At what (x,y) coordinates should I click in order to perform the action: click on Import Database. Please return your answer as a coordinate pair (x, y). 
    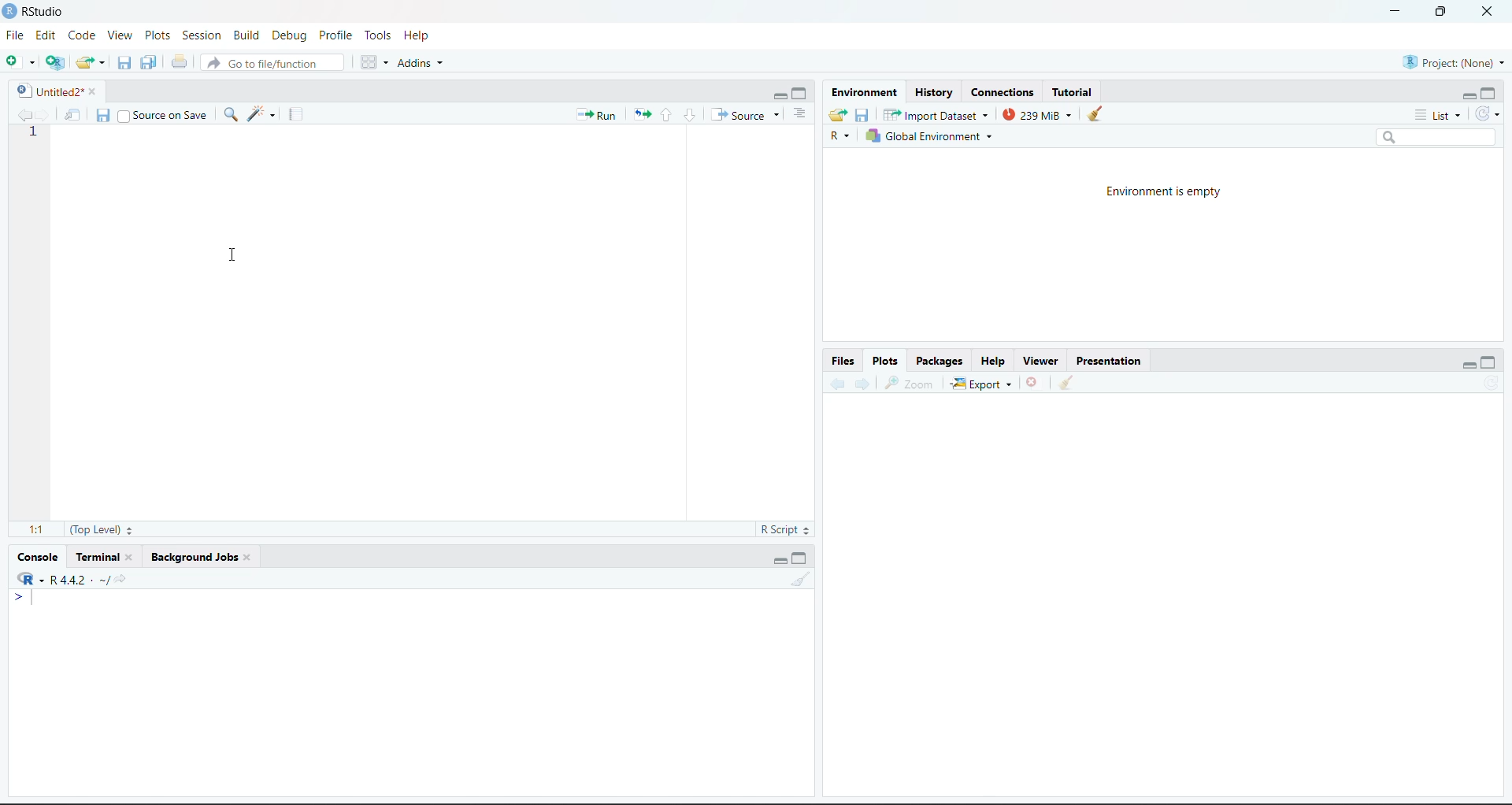
    Looking at the image, I should click on (937, 116).